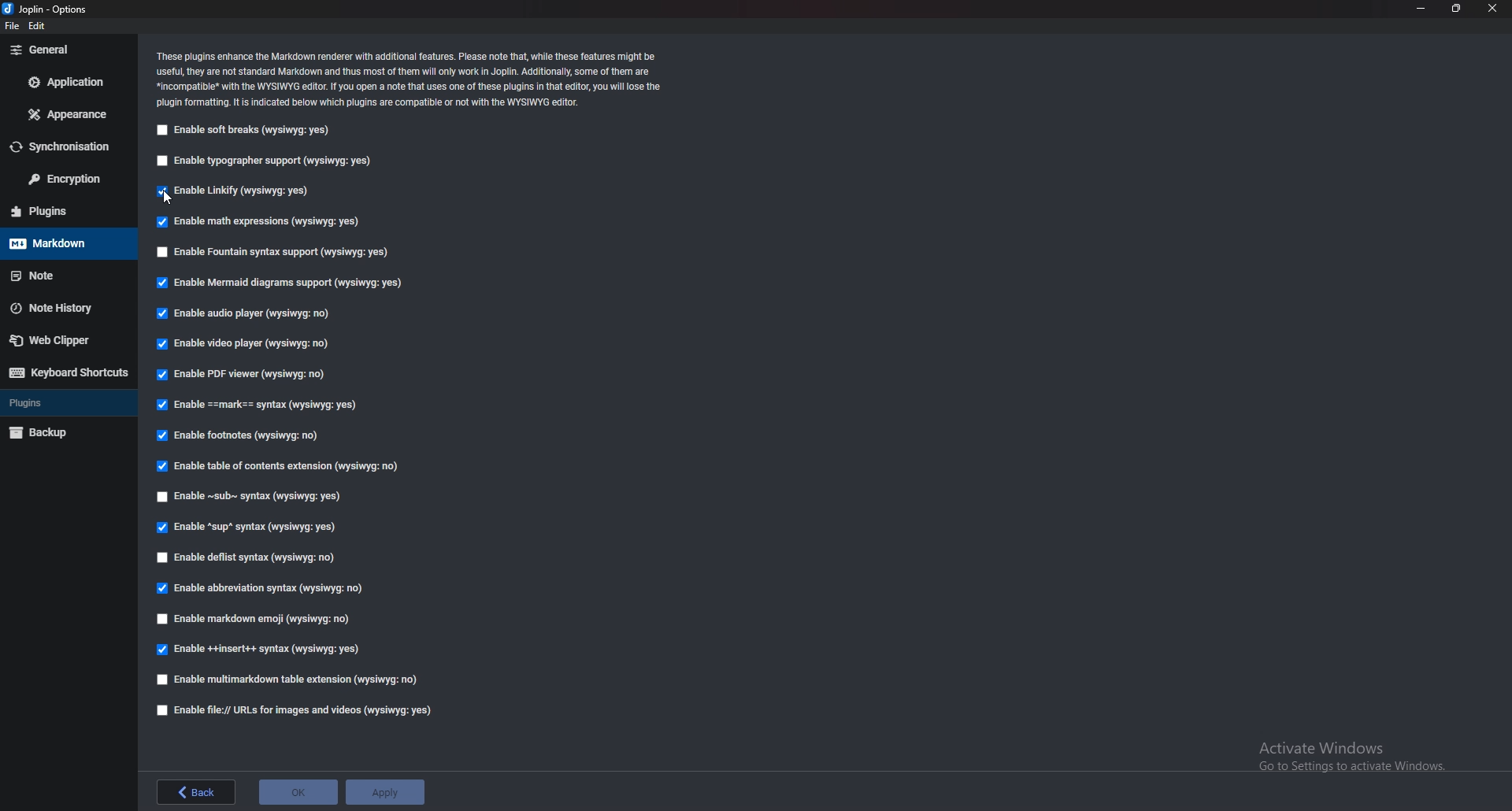 This screenshot has width=1512, height=811. What do you see at coordinates (69, 49) in the screenshot?
I see `general` at bounding box center [69, 49].